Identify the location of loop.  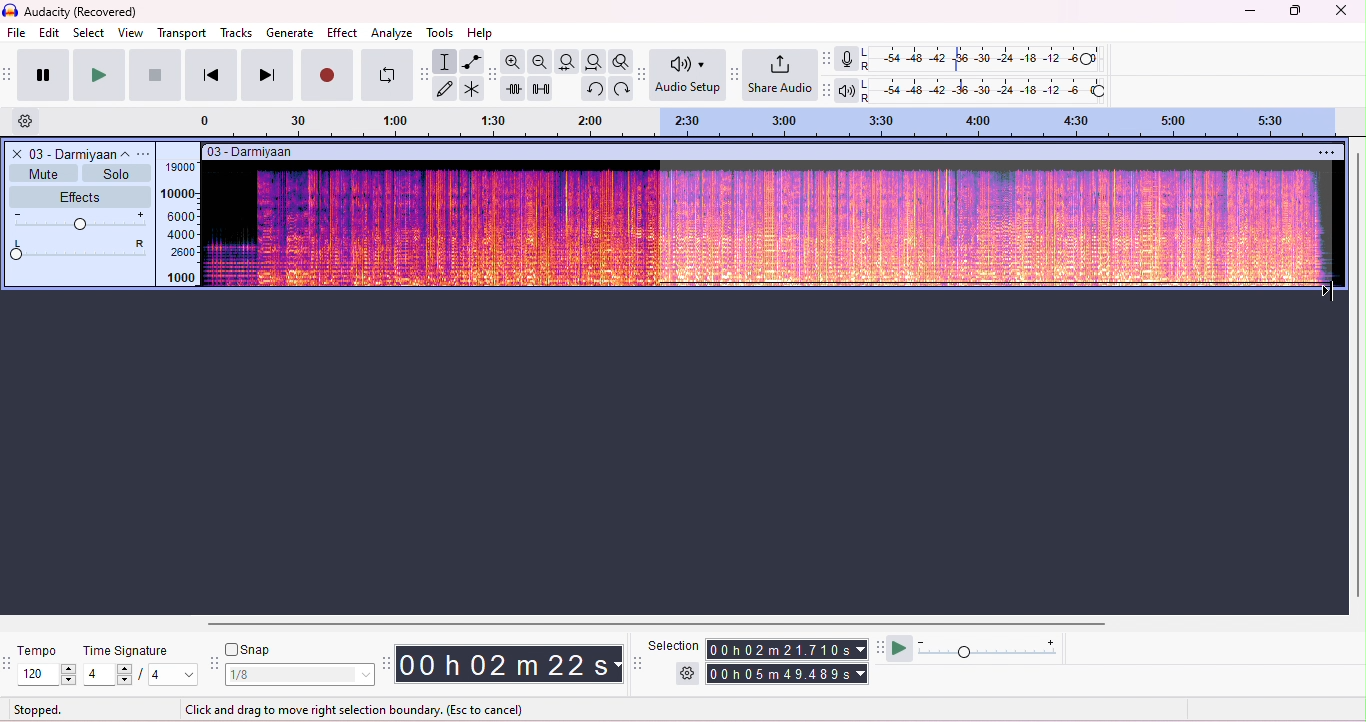
(387, 76).